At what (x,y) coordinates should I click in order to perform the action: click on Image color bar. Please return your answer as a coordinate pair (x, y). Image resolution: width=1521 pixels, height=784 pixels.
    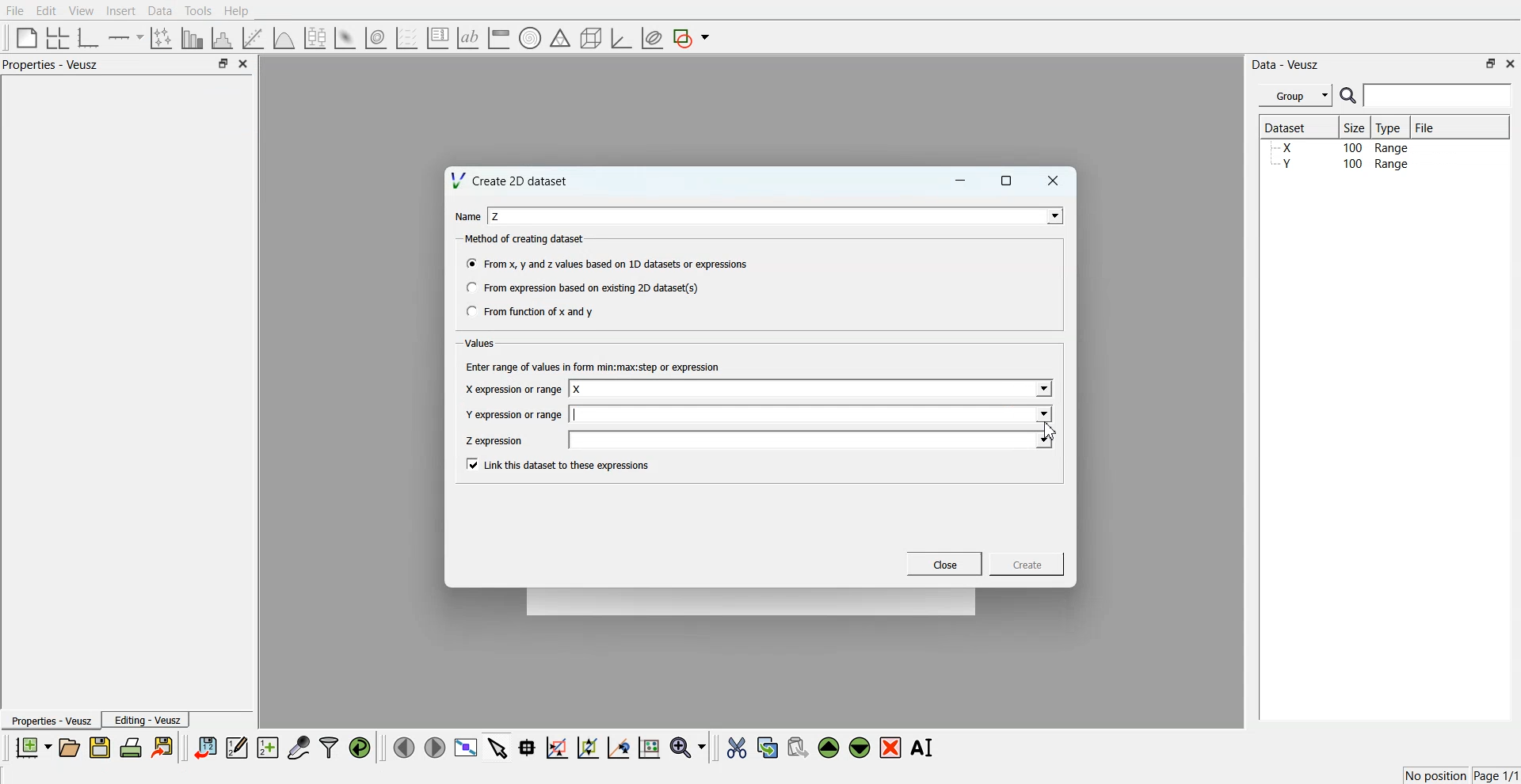
    Looking at the image, I should click on (499, 37).